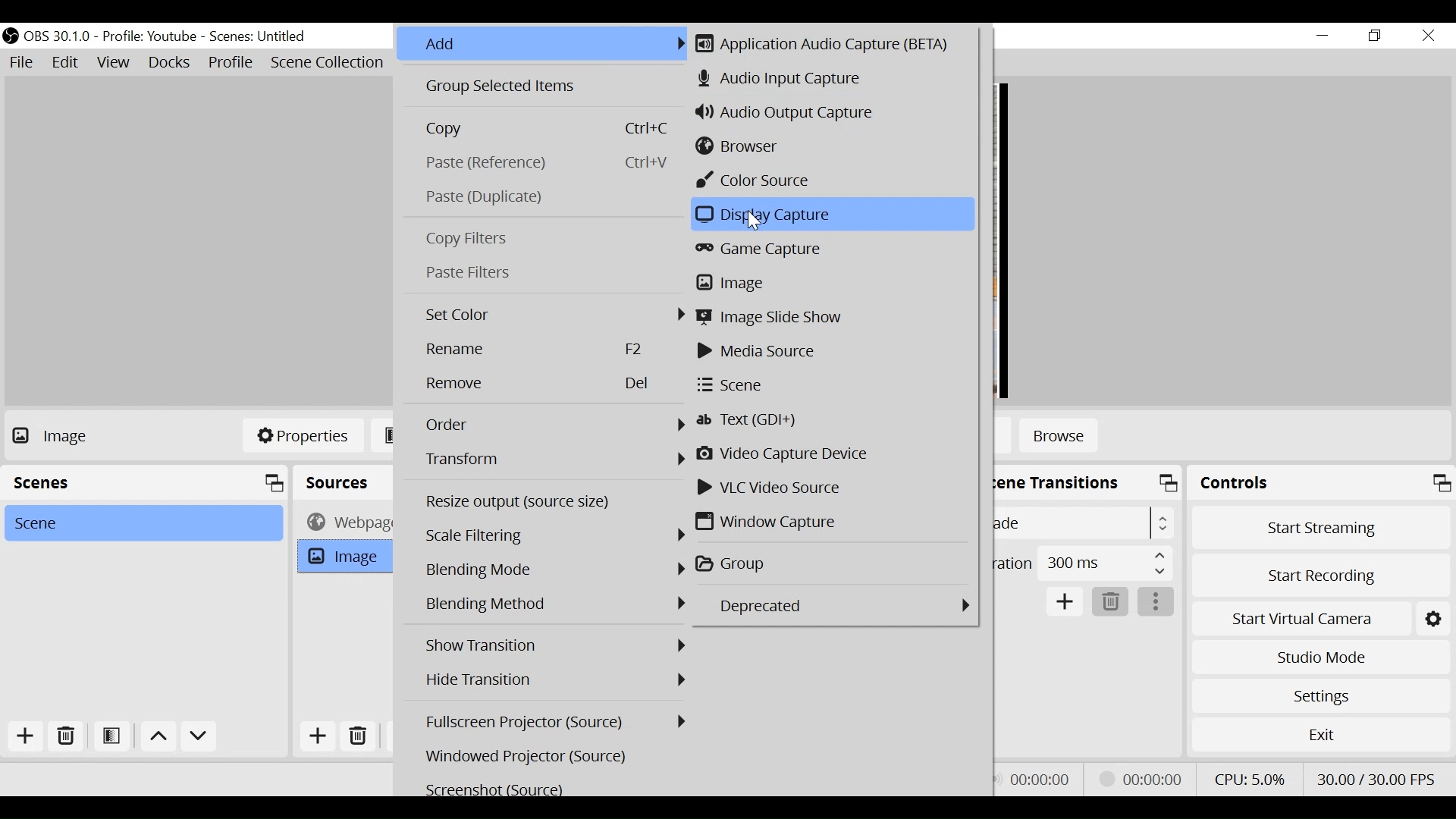 This screenshot has width=1456, height=819. I want to click on Move down, so click(199, 738).